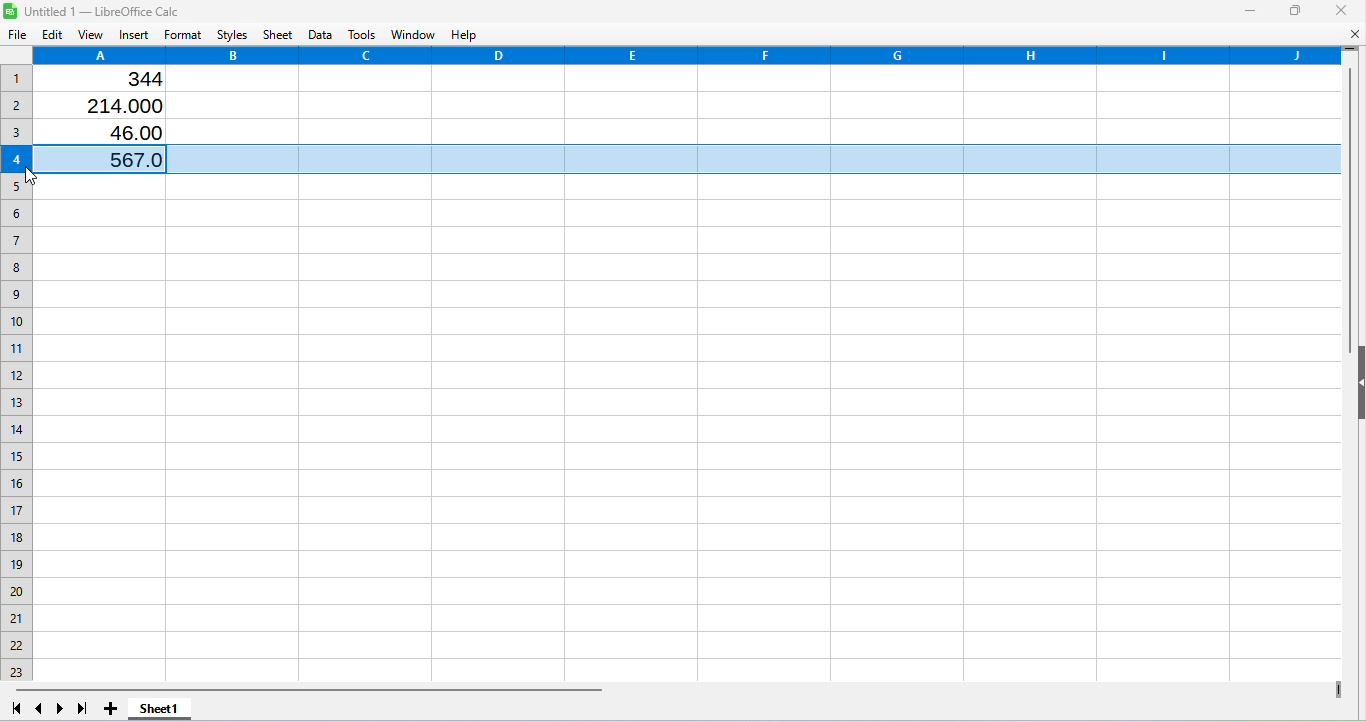 The height and width of the screenshot is (722, 1366). I want to click on Windows, so click(414, 33).